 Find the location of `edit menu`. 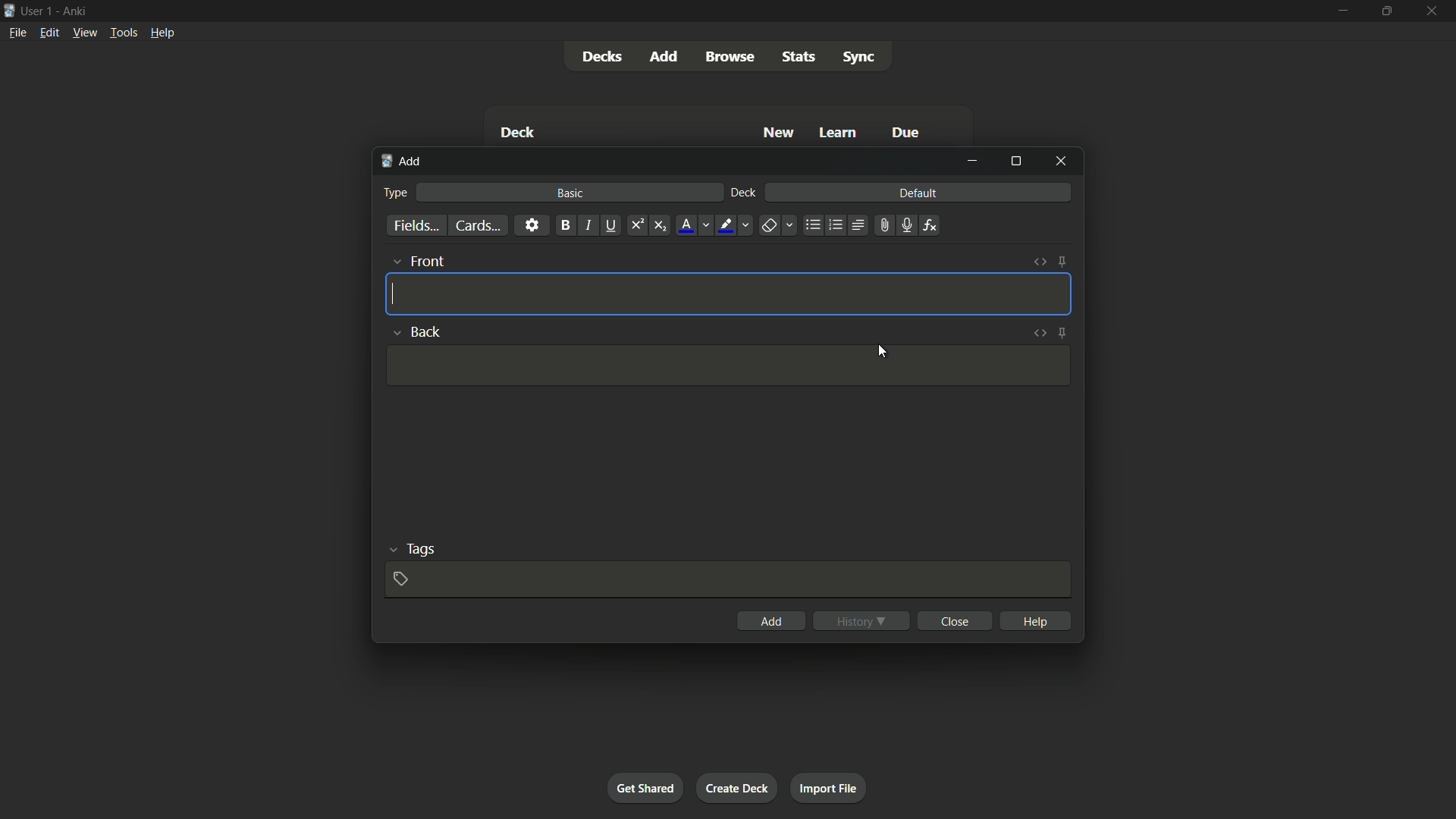

edit menu is located at coordinates (49, 33).